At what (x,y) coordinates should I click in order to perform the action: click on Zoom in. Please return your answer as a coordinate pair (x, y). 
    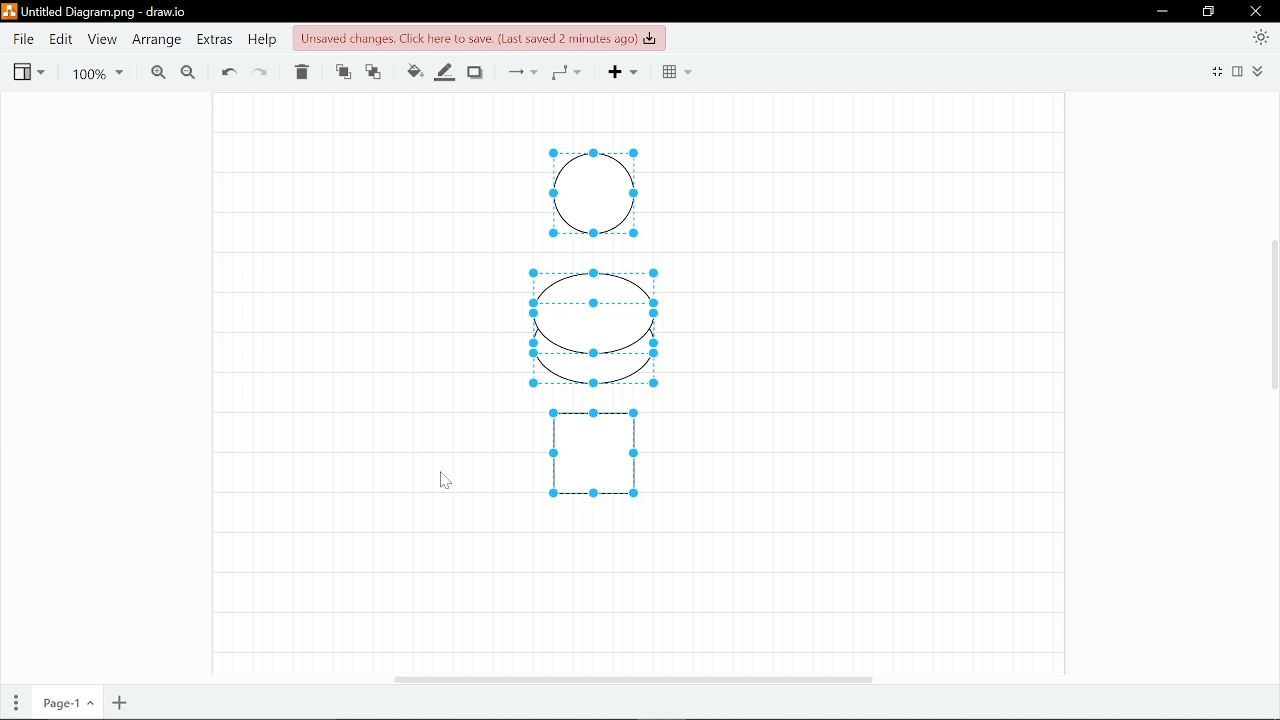
    Looking at the image, I should click on (158, 74).